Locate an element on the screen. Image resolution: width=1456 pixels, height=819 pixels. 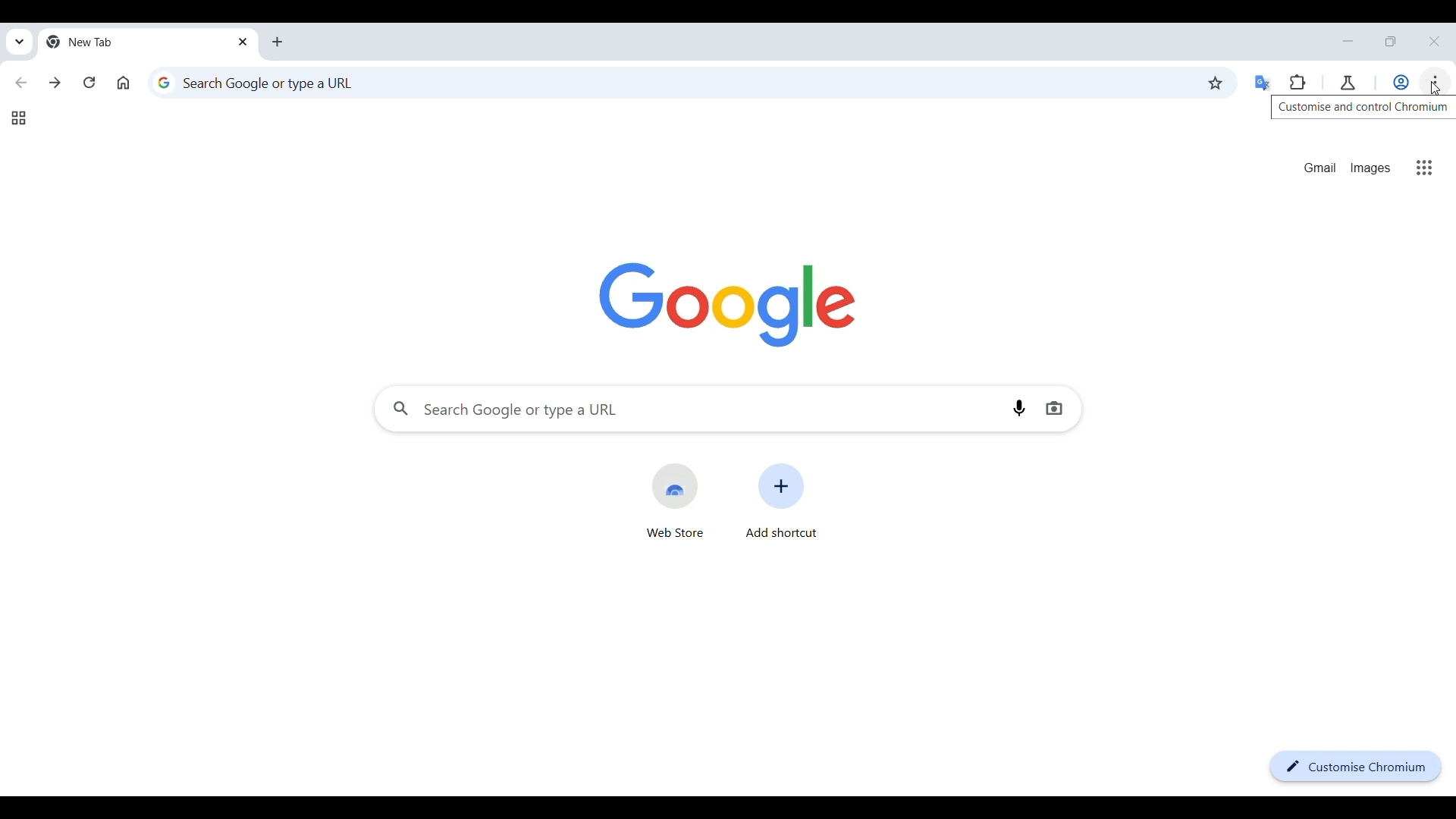
Customize Chromium  is located at coordinates (1357, 767).